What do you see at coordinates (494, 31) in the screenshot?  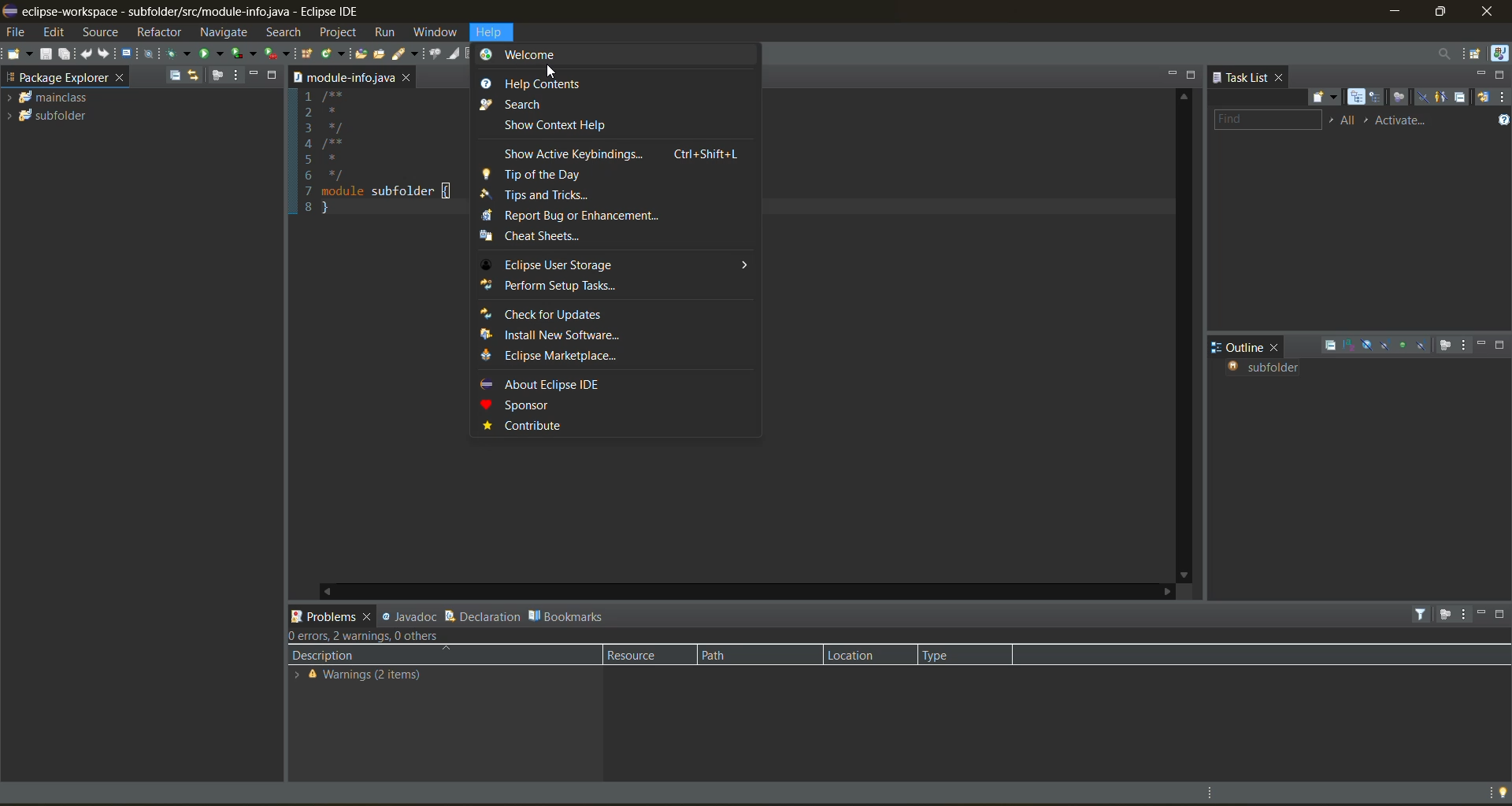 I see `help` at bounding box center [494, 31].